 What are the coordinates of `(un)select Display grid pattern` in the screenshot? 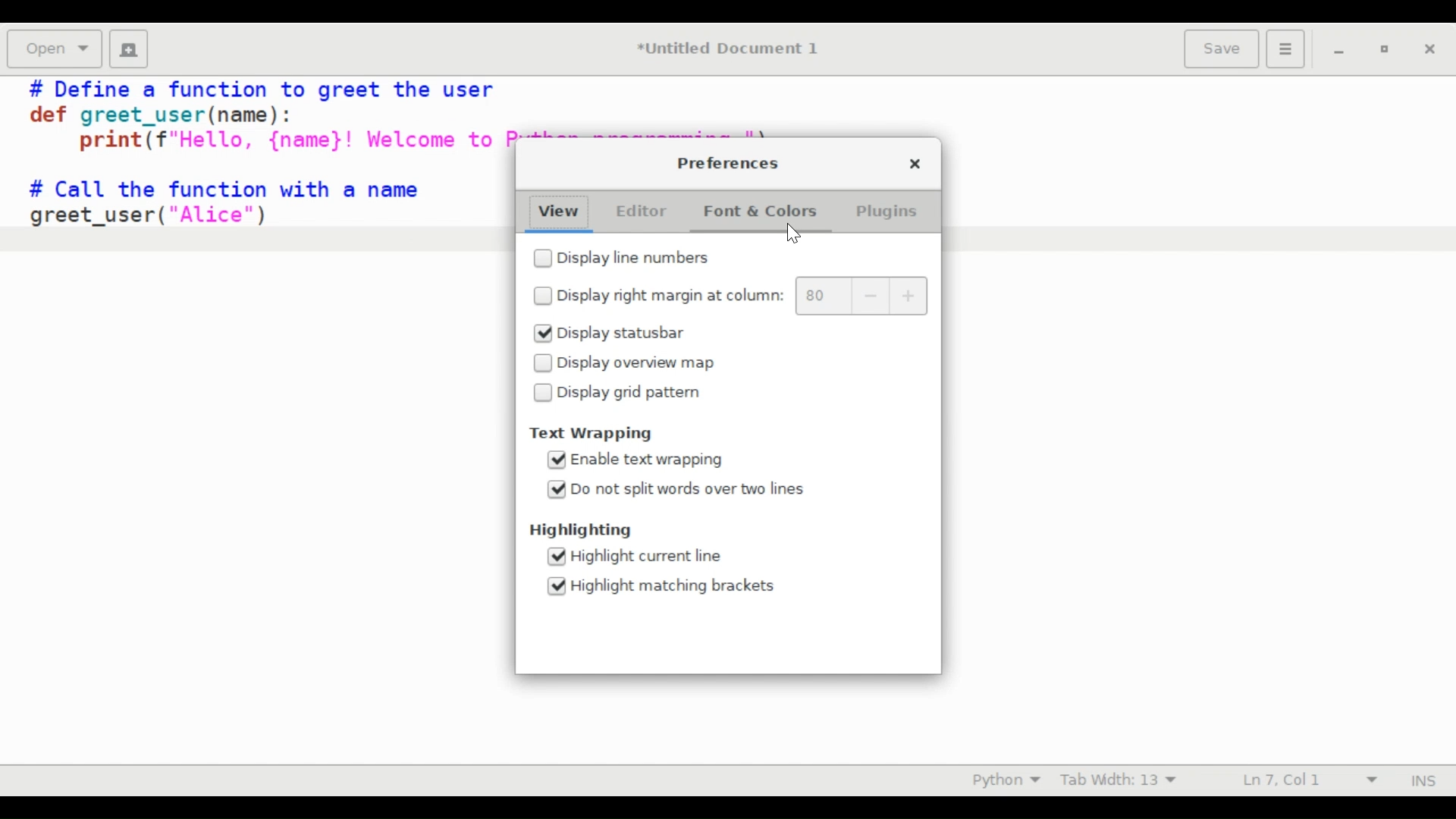 It's located at (623, 392).